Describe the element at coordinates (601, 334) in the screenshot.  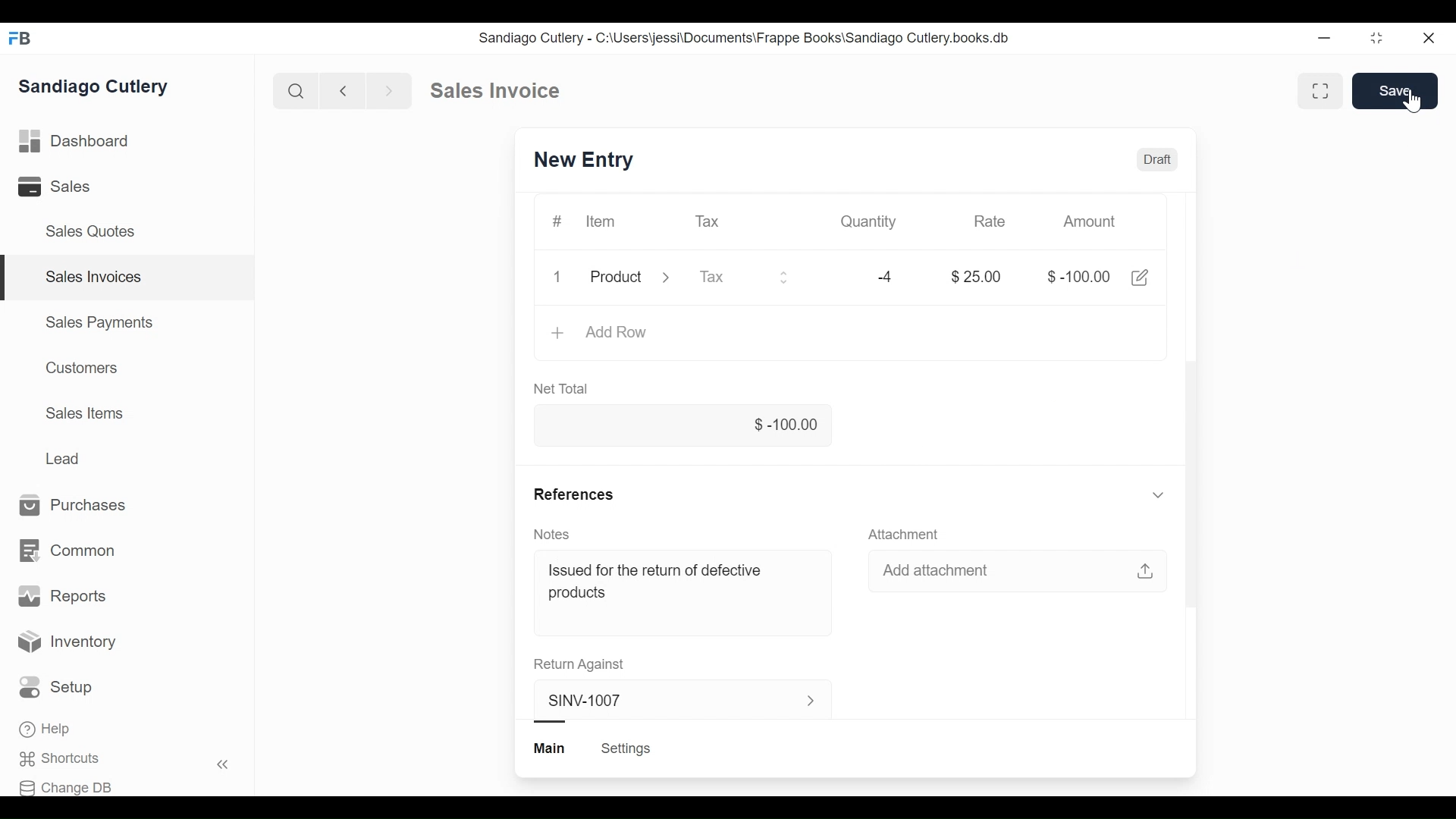
I see `Add Row` at that location.